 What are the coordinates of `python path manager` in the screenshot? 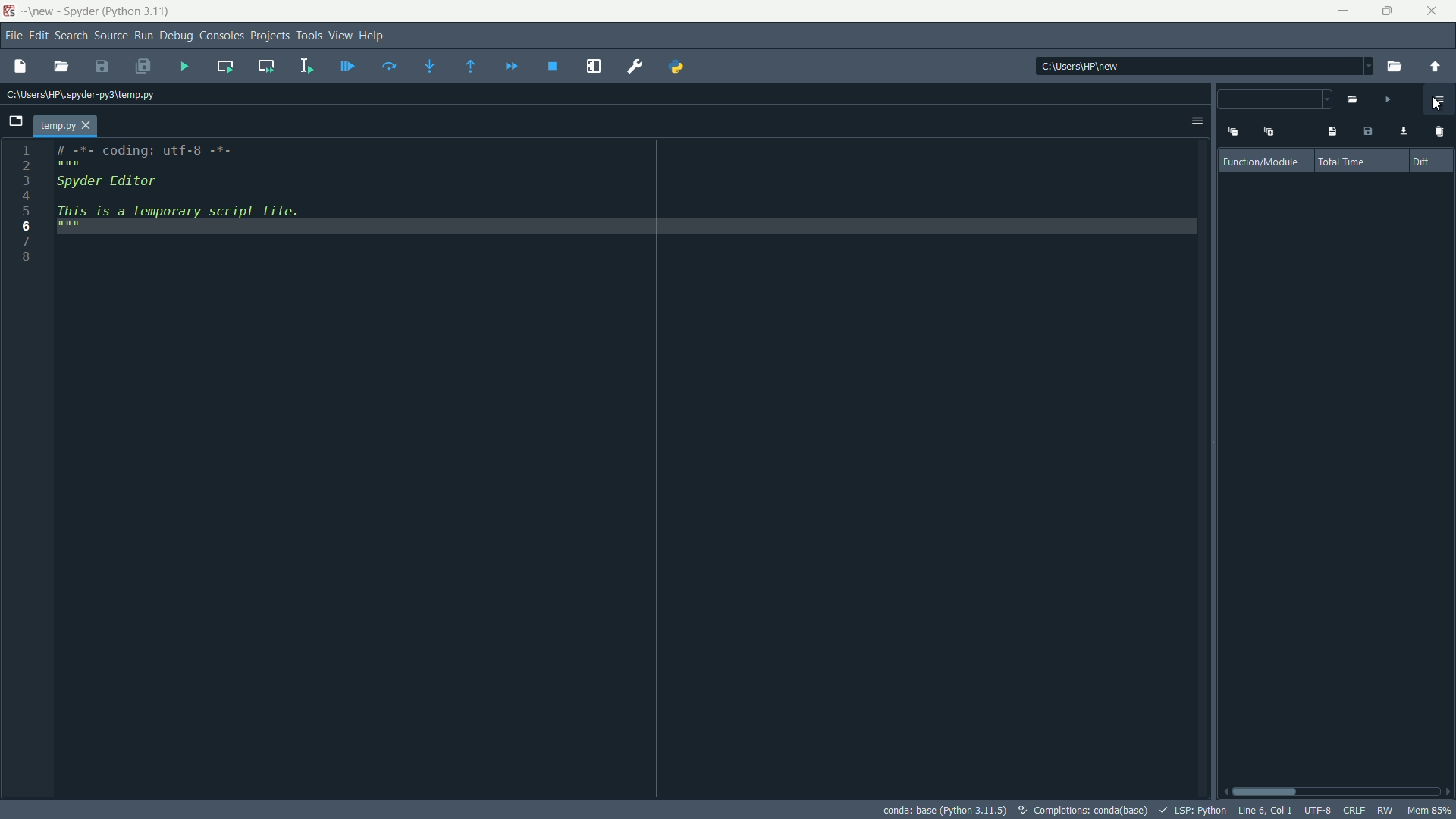 It's located at (679, 65).